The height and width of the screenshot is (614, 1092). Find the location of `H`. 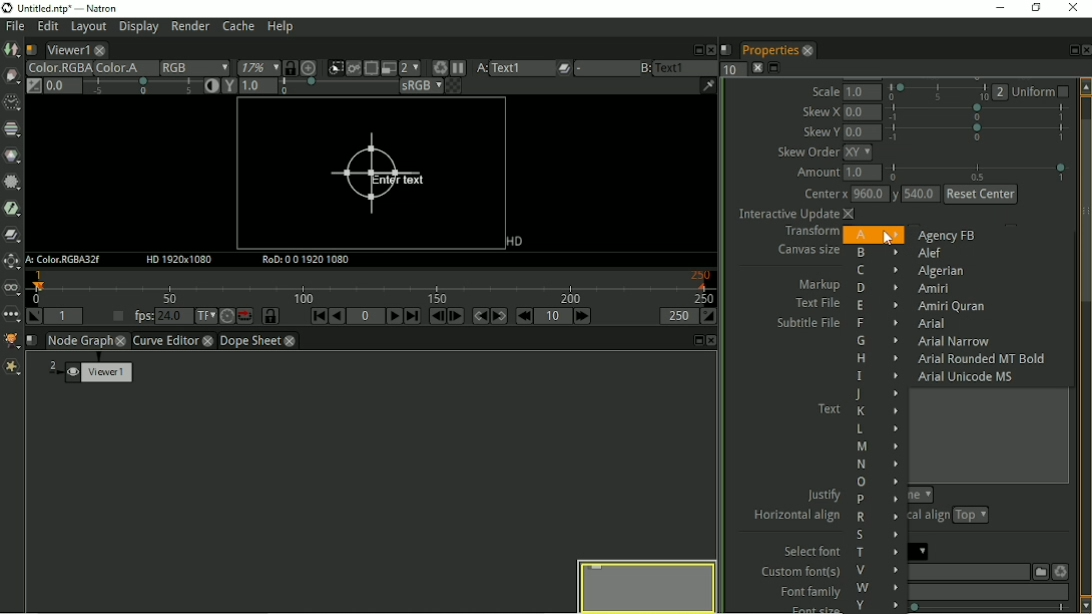

H is located at coordinates (877, 358).